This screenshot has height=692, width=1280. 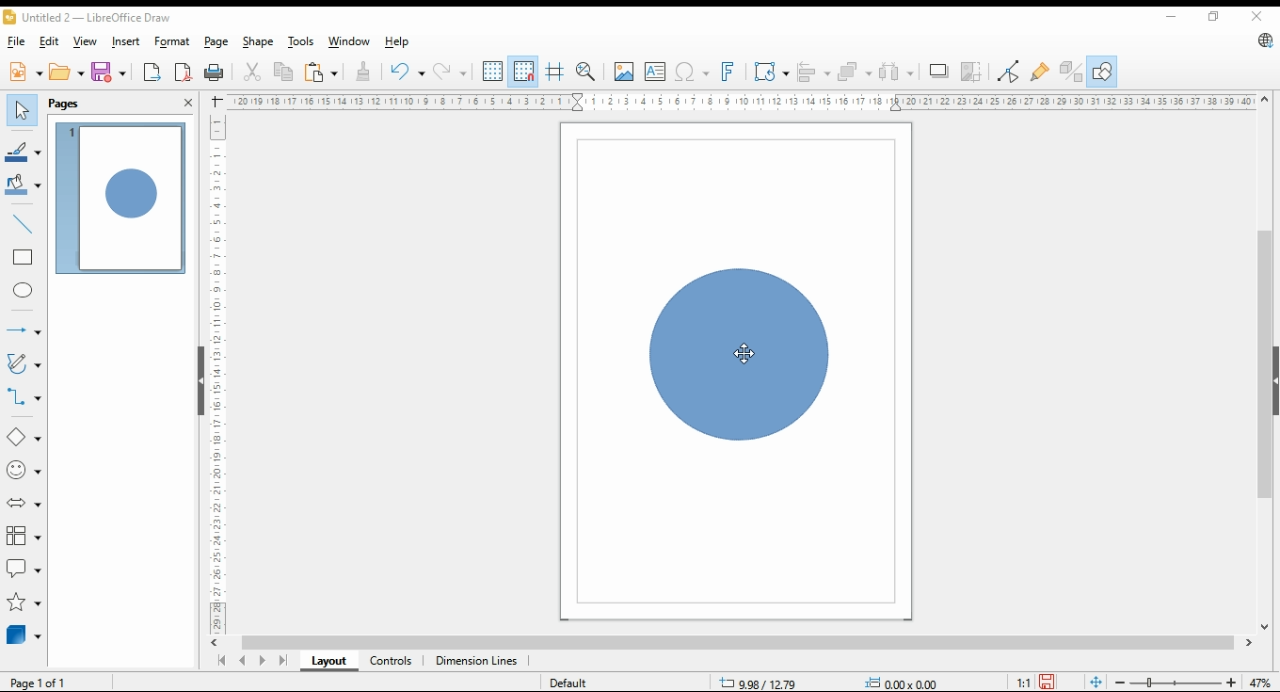 I want to click on transformations, so click(x=771, y=71).